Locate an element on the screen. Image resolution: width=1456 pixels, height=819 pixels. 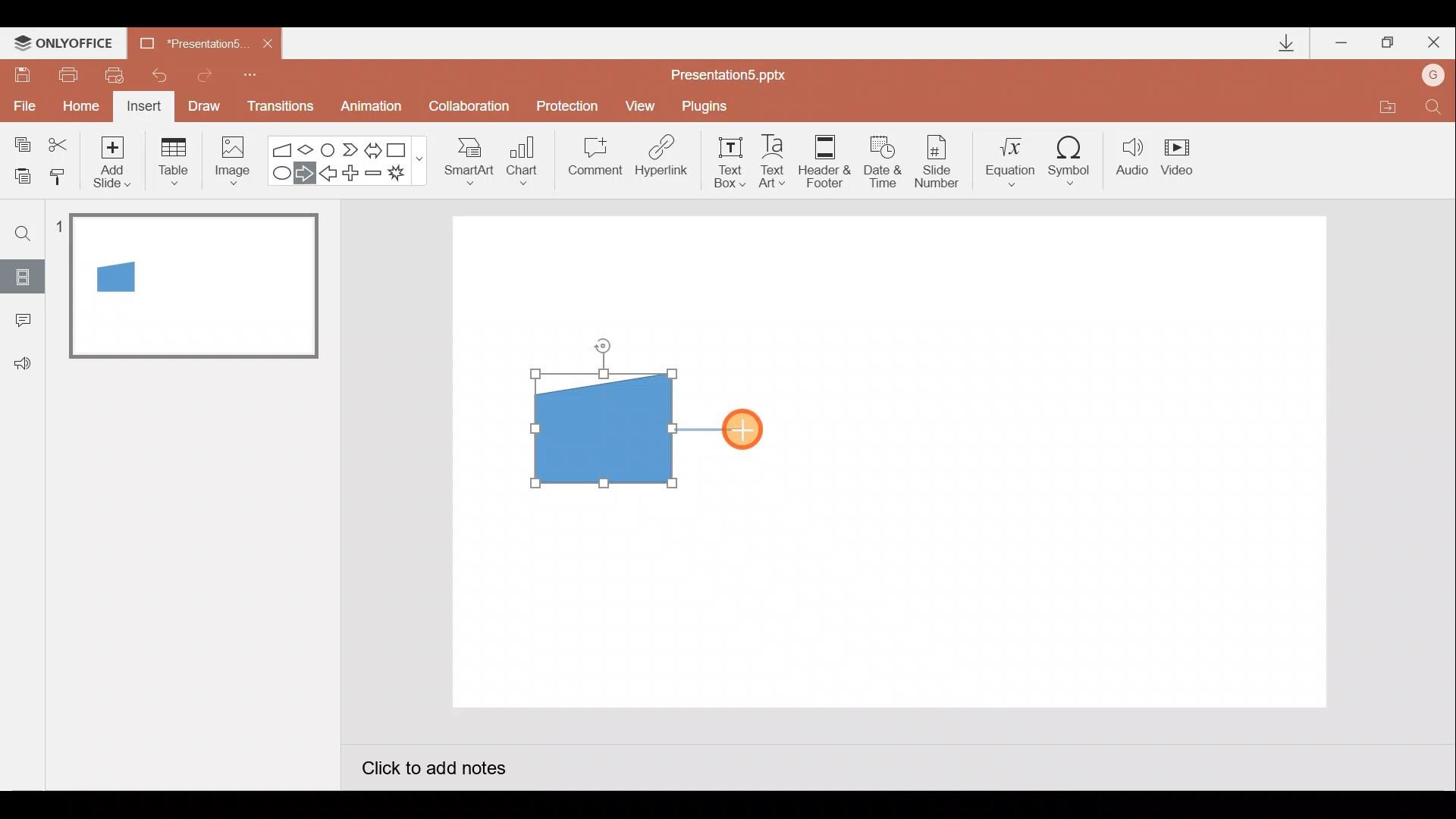
Protection is located at coordinates (572, 105).